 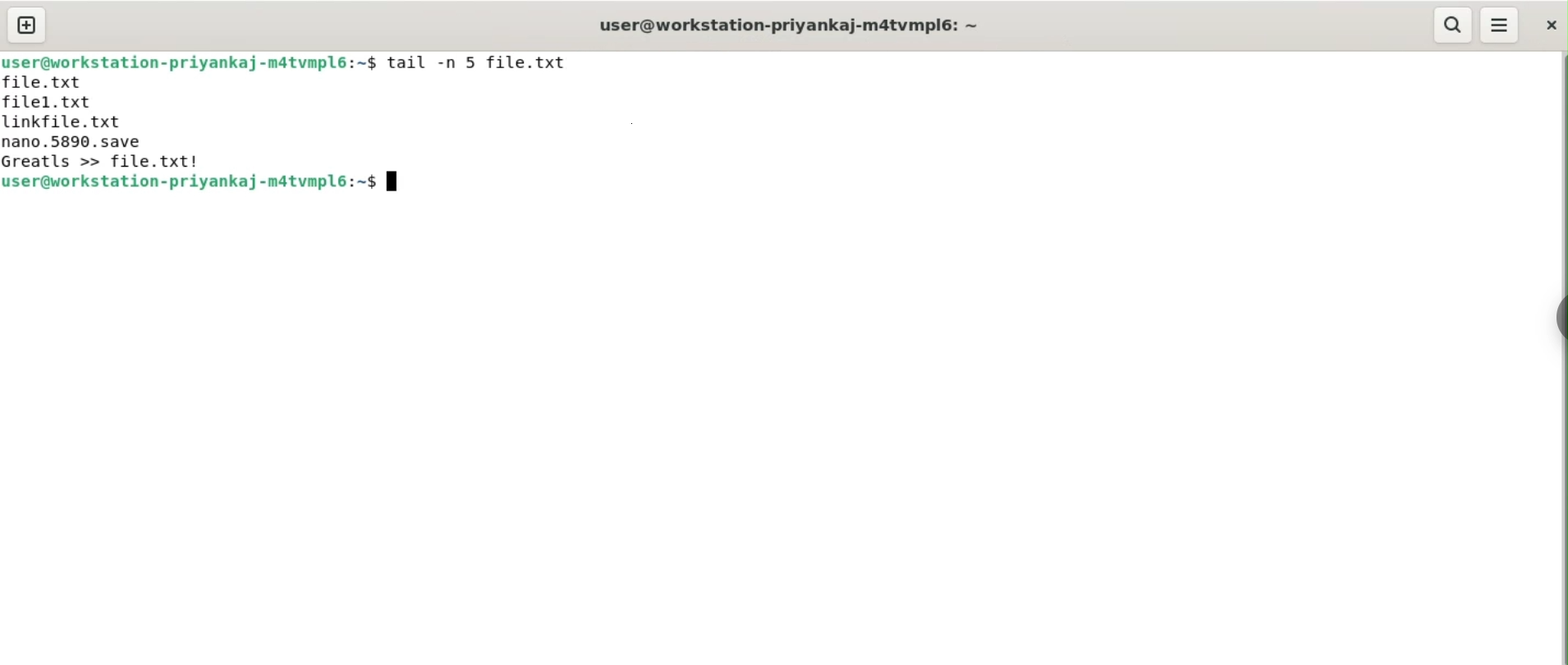 What do you see at coordinates (792, 23) in the screenshot?
I see `user@workstation-priyankaj-m4tvmpl6: ~` at bounding box center [792, 23].